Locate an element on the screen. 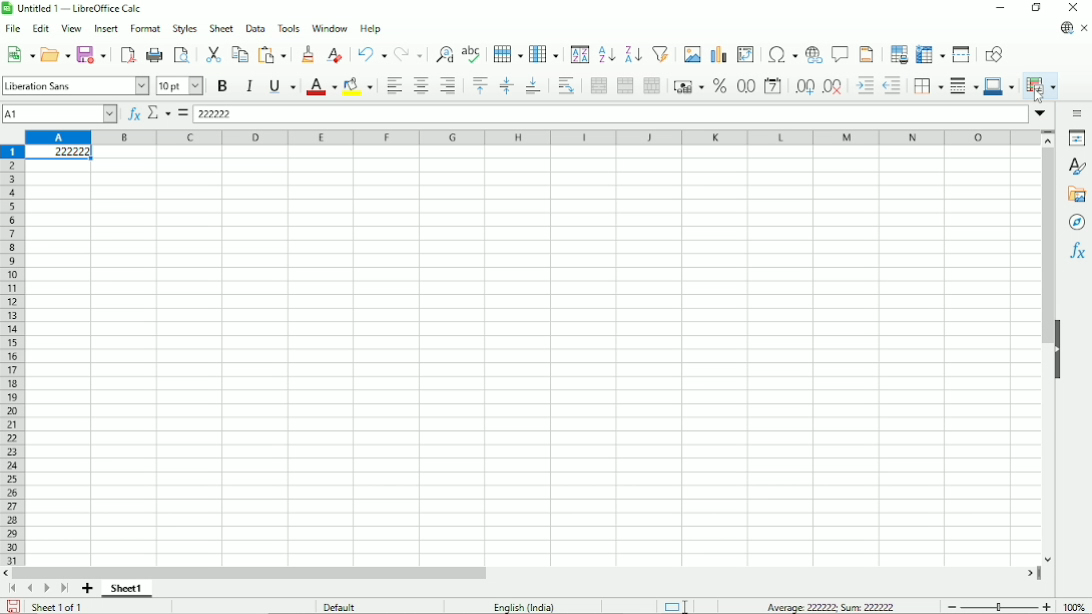 This screenshot has width=1092, height=614. Find and replace is located at coordinates (444, 53).